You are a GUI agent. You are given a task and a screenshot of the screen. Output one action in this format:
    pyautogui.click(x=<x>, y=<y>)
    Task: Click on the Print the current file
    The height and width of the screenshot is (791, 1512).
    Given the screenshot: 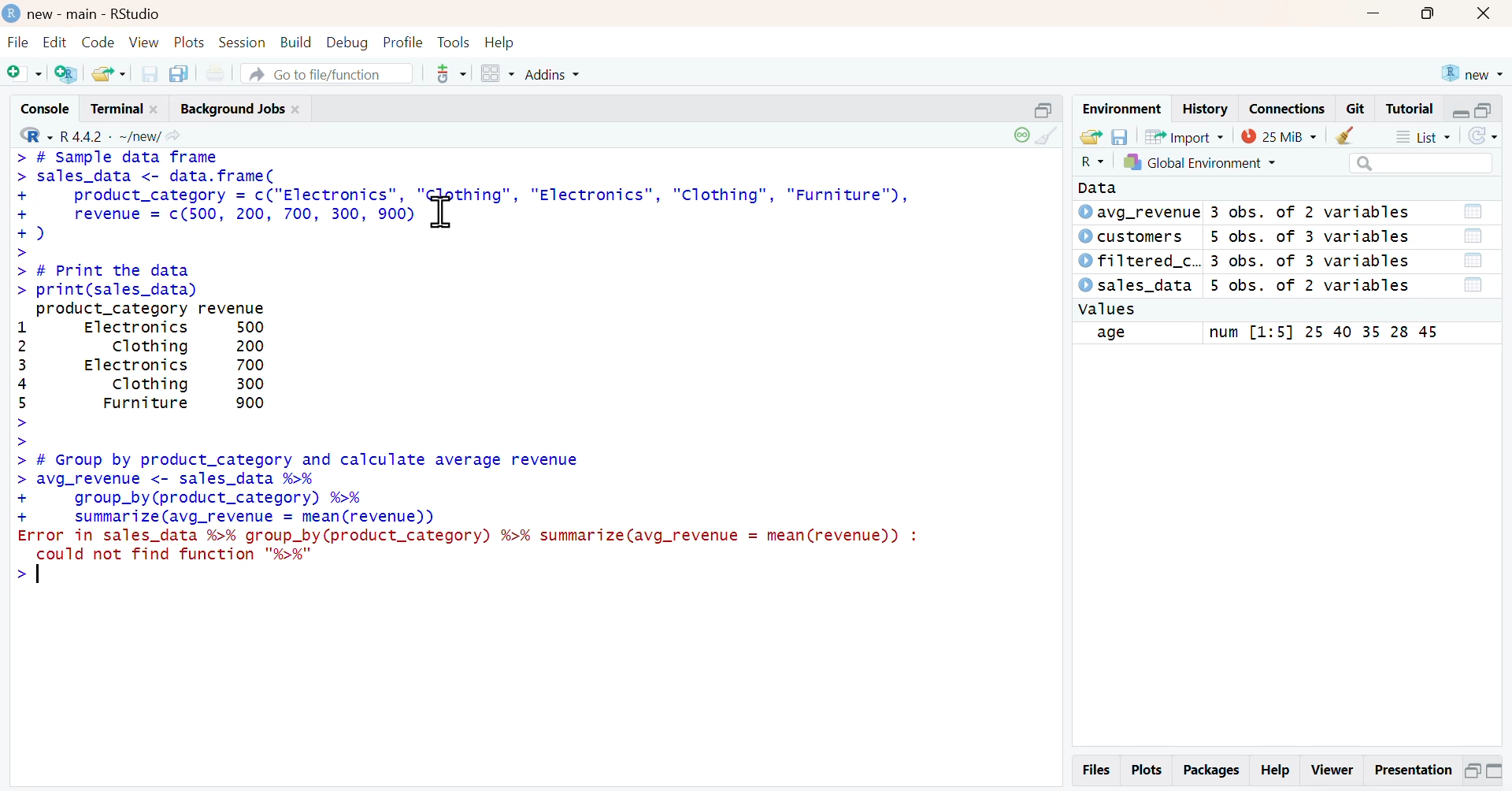 What is the action you would take?
    pyautogui.click(x=213, y=73)
    